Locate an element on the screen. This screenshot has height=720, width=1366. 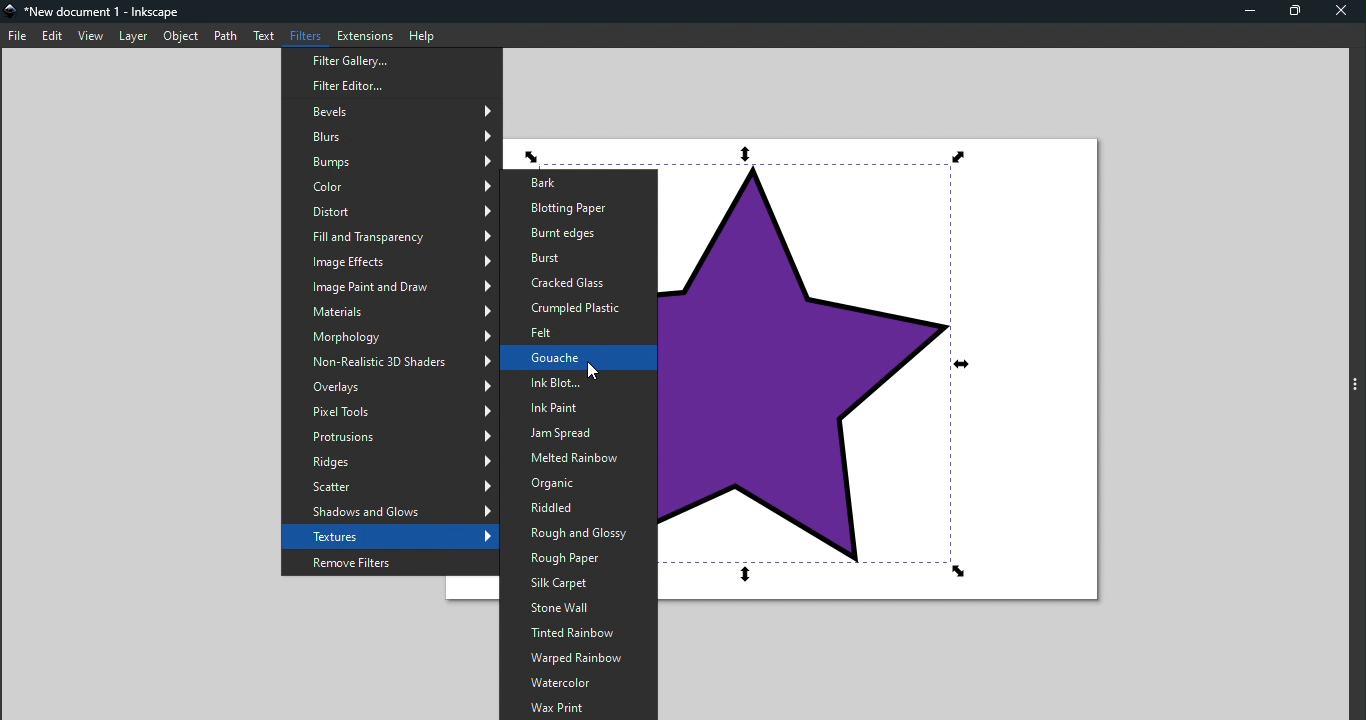
Tinted rainbow is located at coordinates (577, 633).